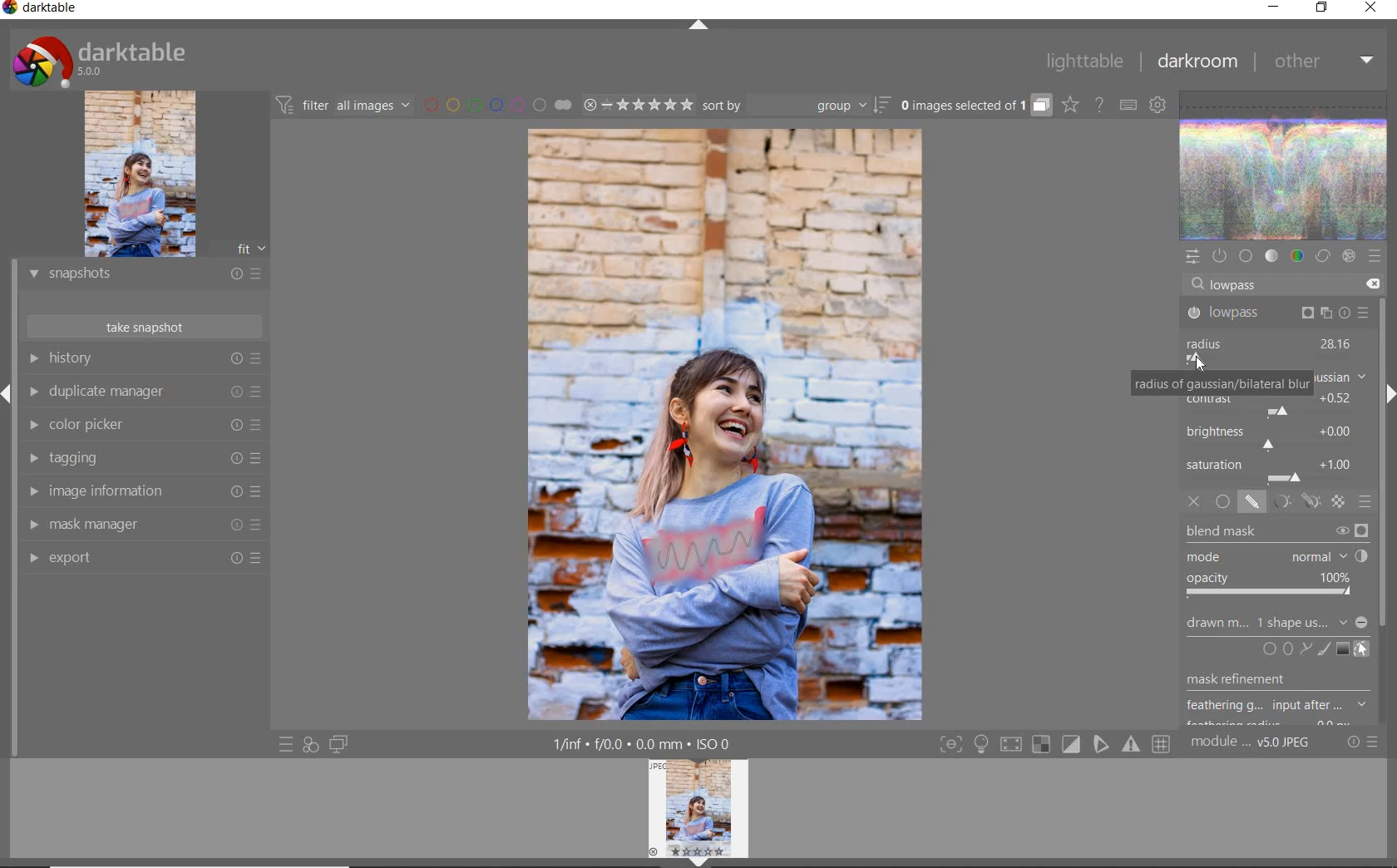 This screenshot has width=1397, height=868. What do you see at coordinates (1287, 650) in the screenshot?
I see `add circle, ellipse, or path` at bounding box center [1287, 650].